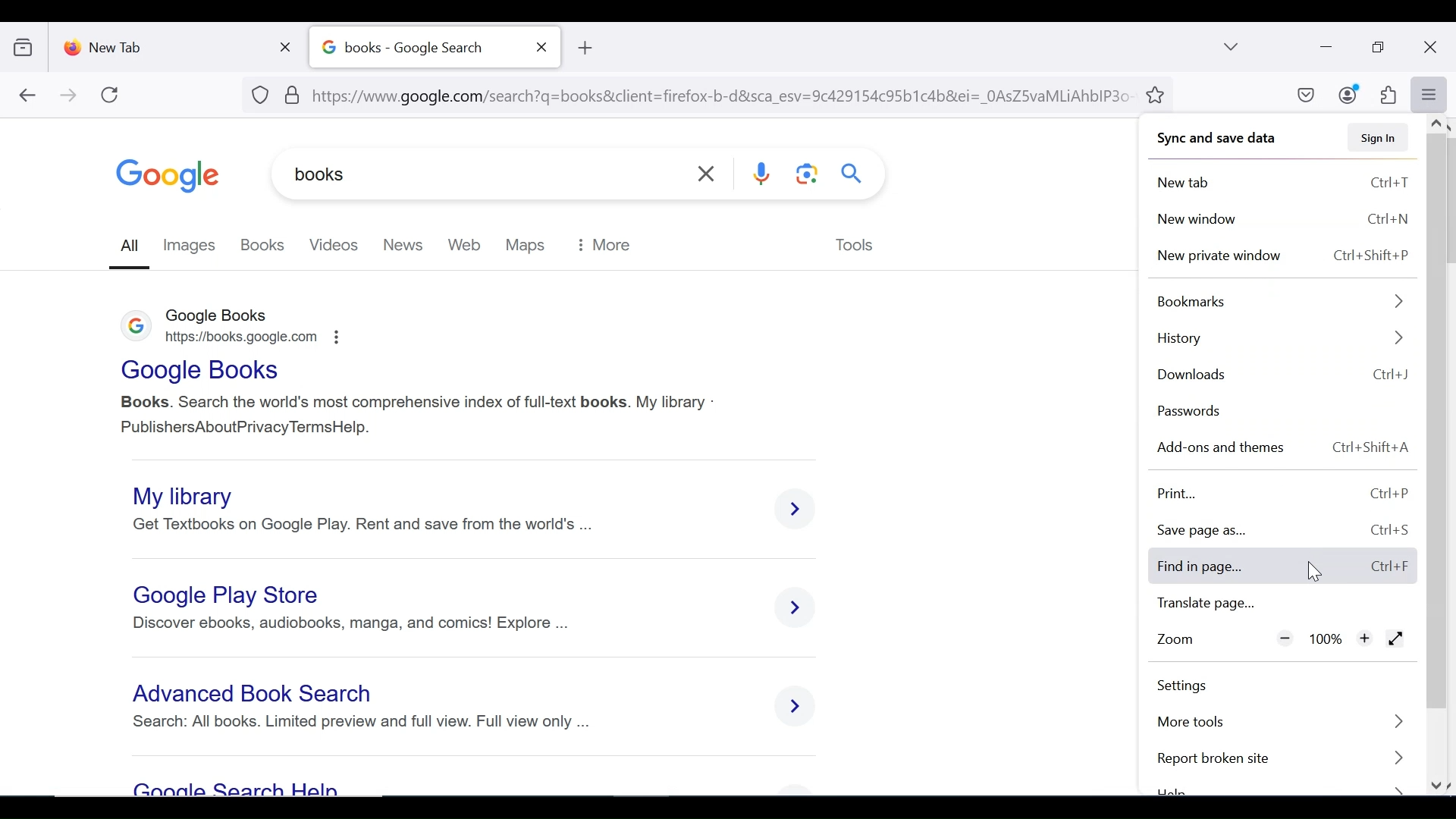 The width and height of the screenshot is (1456, 819). I want to click on new tab, so click(1286, 184).